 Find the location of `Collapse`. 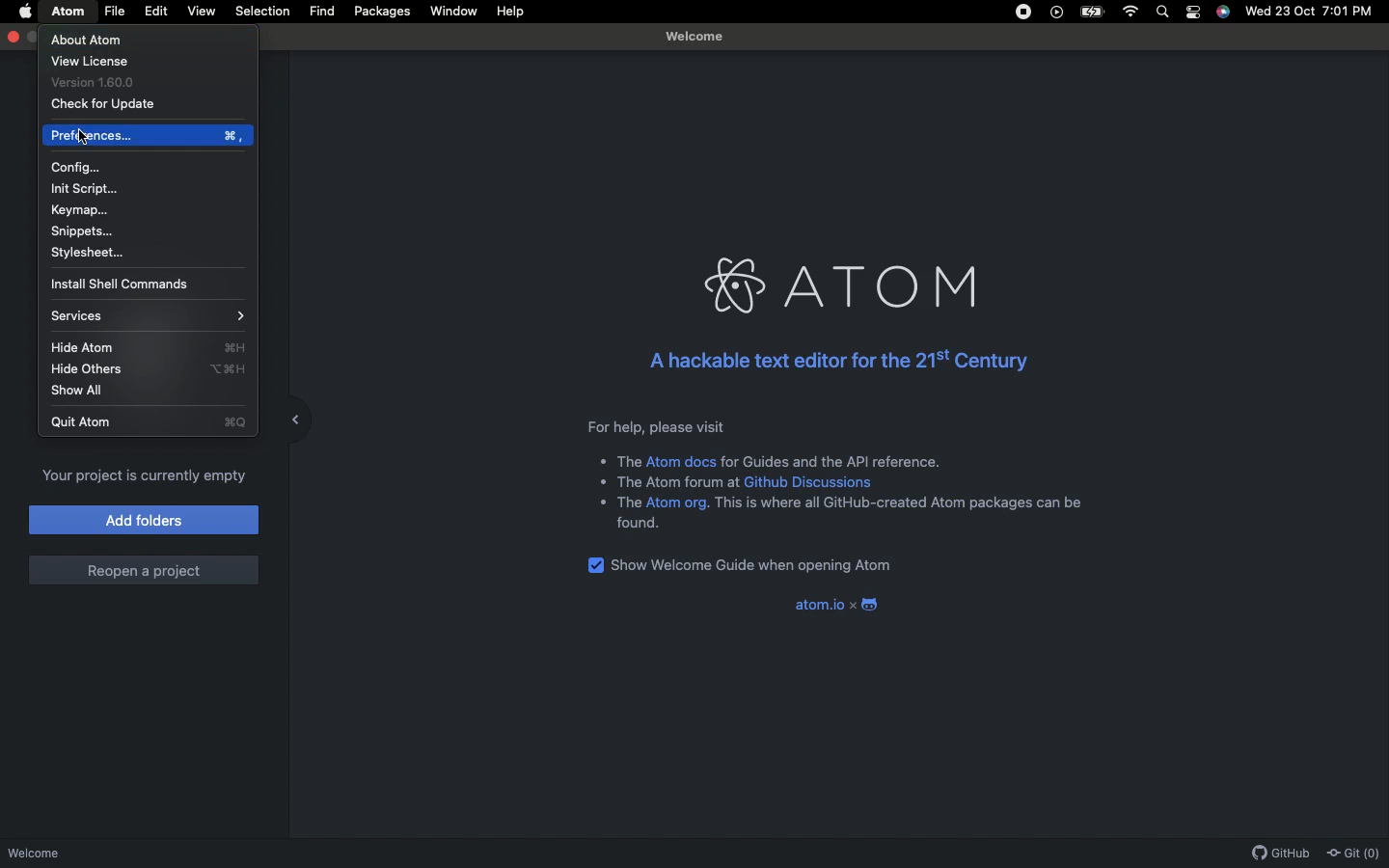

Collapse is located at coordinates (297, 418).